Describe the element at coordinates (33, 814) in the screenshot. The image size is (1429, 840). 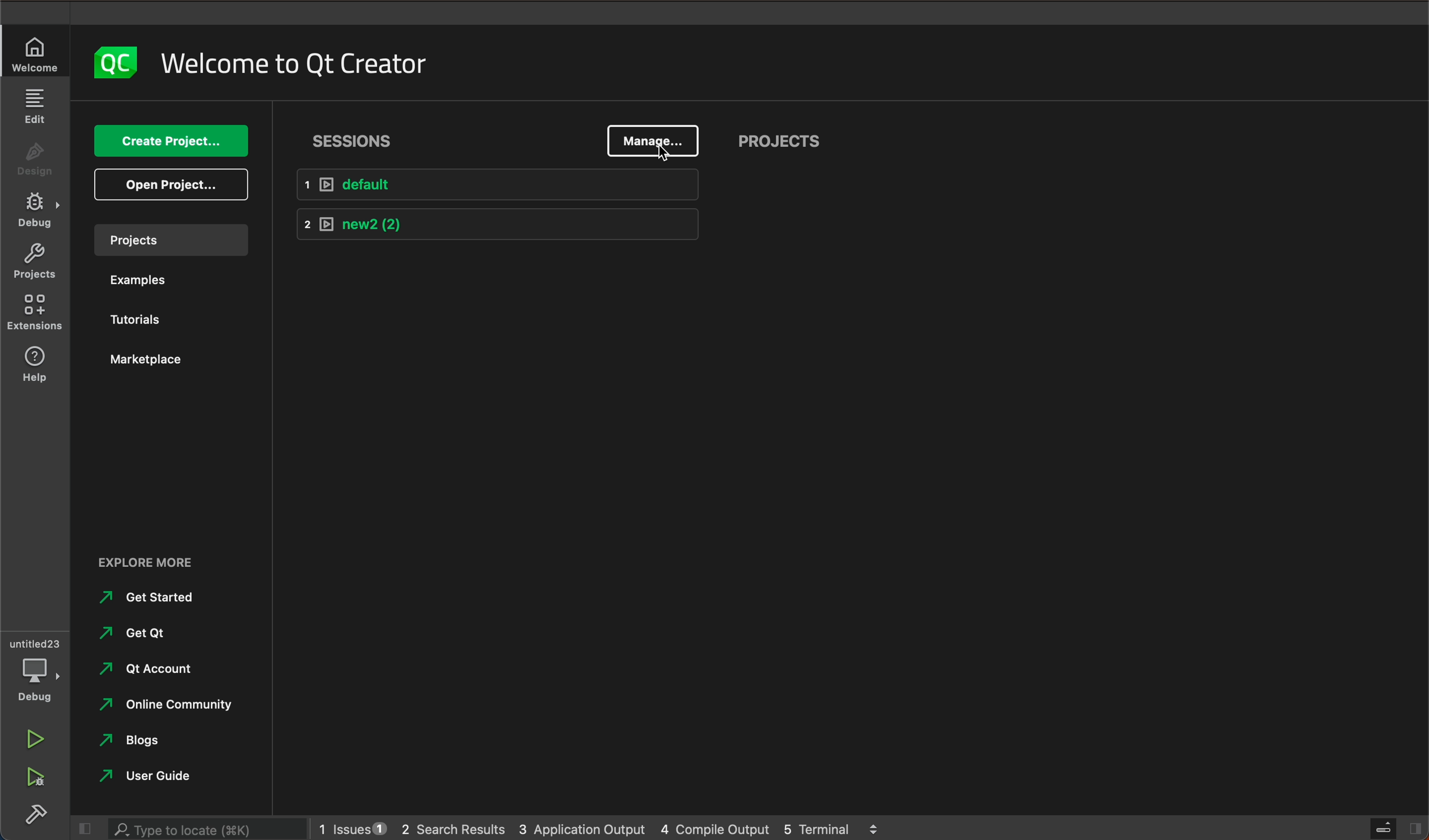
I see `build` at that location.